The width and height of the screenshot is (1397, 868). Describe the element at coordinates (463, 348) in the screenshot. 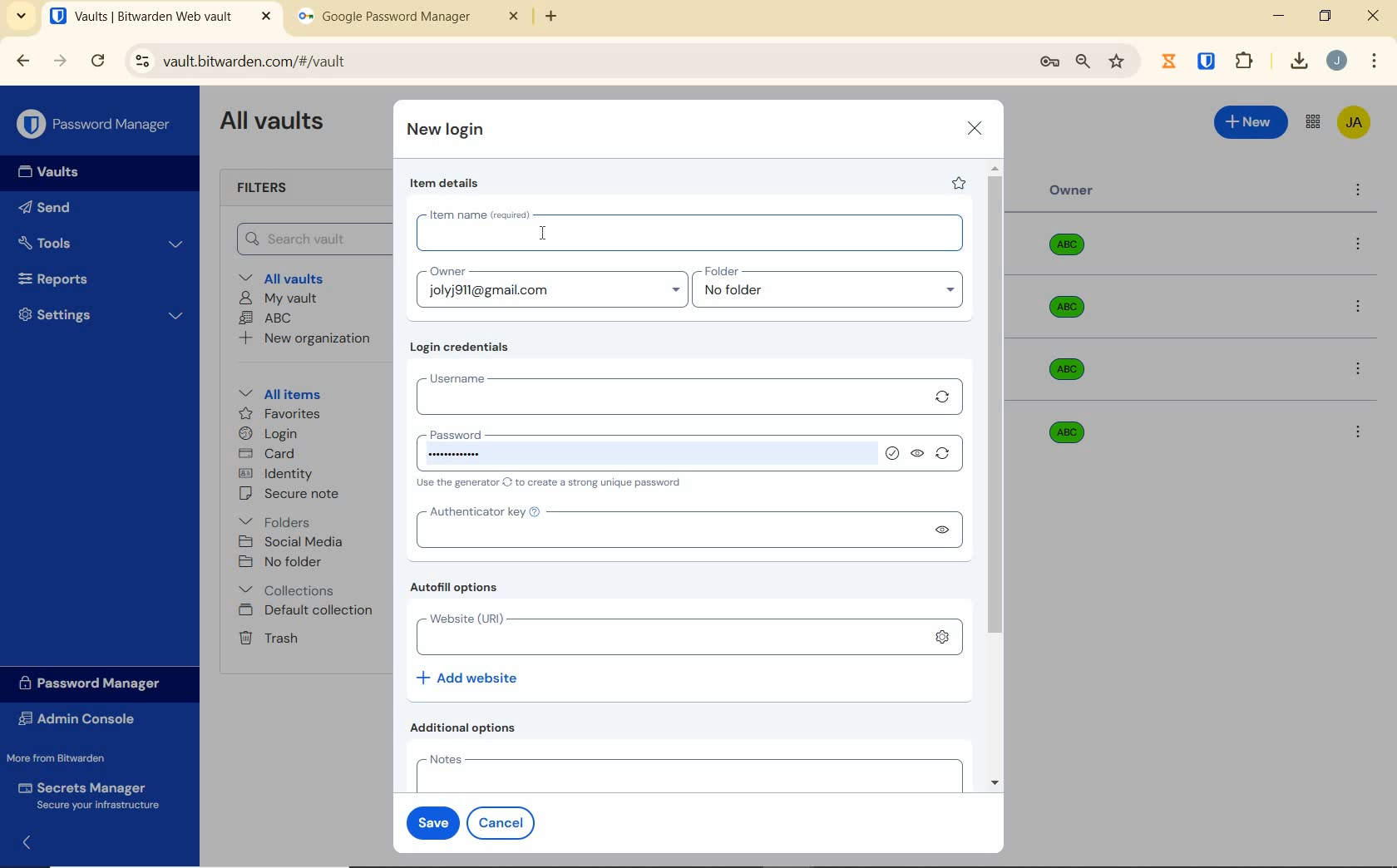

I see `Login credentials` at that location.